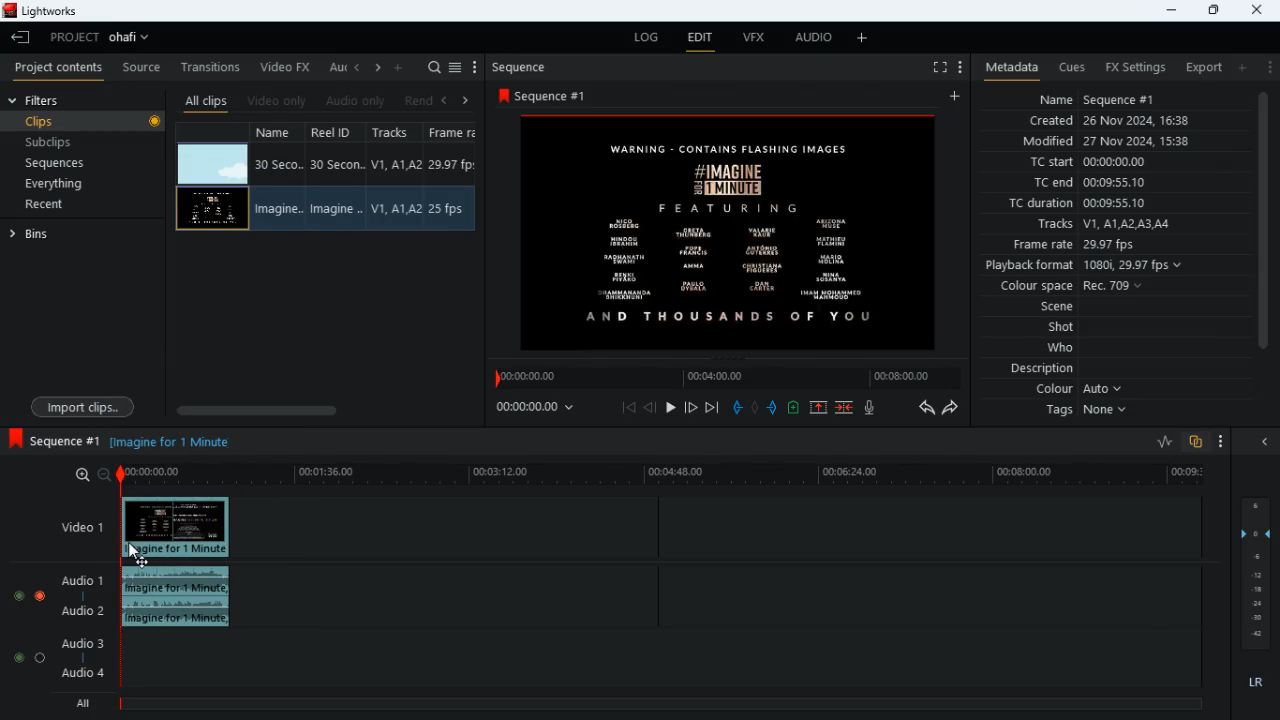 The height and width of the screenshot is (720, 1280). What do you see at coordinates (133, 548) in the screenshot?
I see `cursor` at bounding box center [133, 548].